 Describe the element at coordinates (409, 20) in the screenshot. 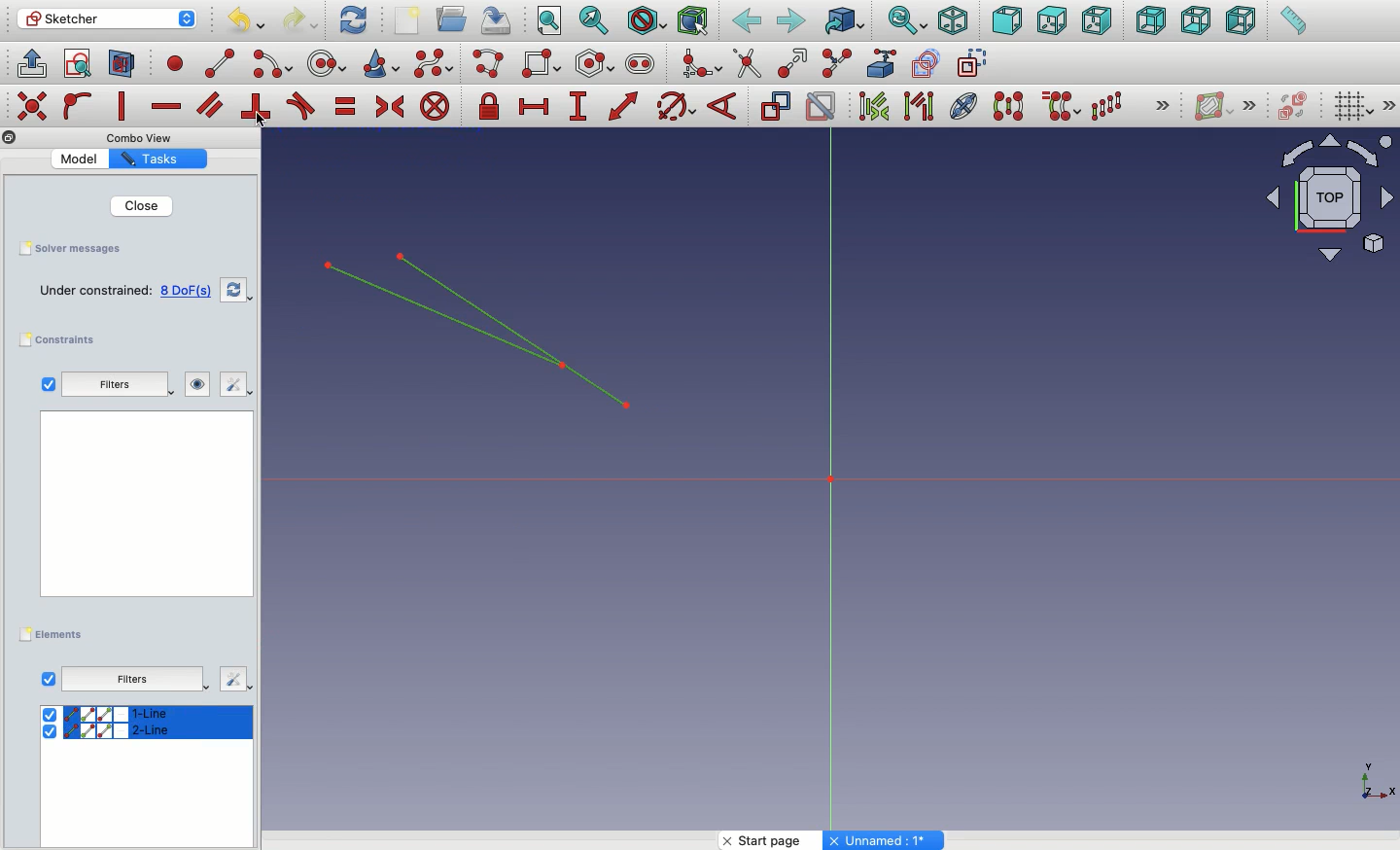

I see `New` at that location.